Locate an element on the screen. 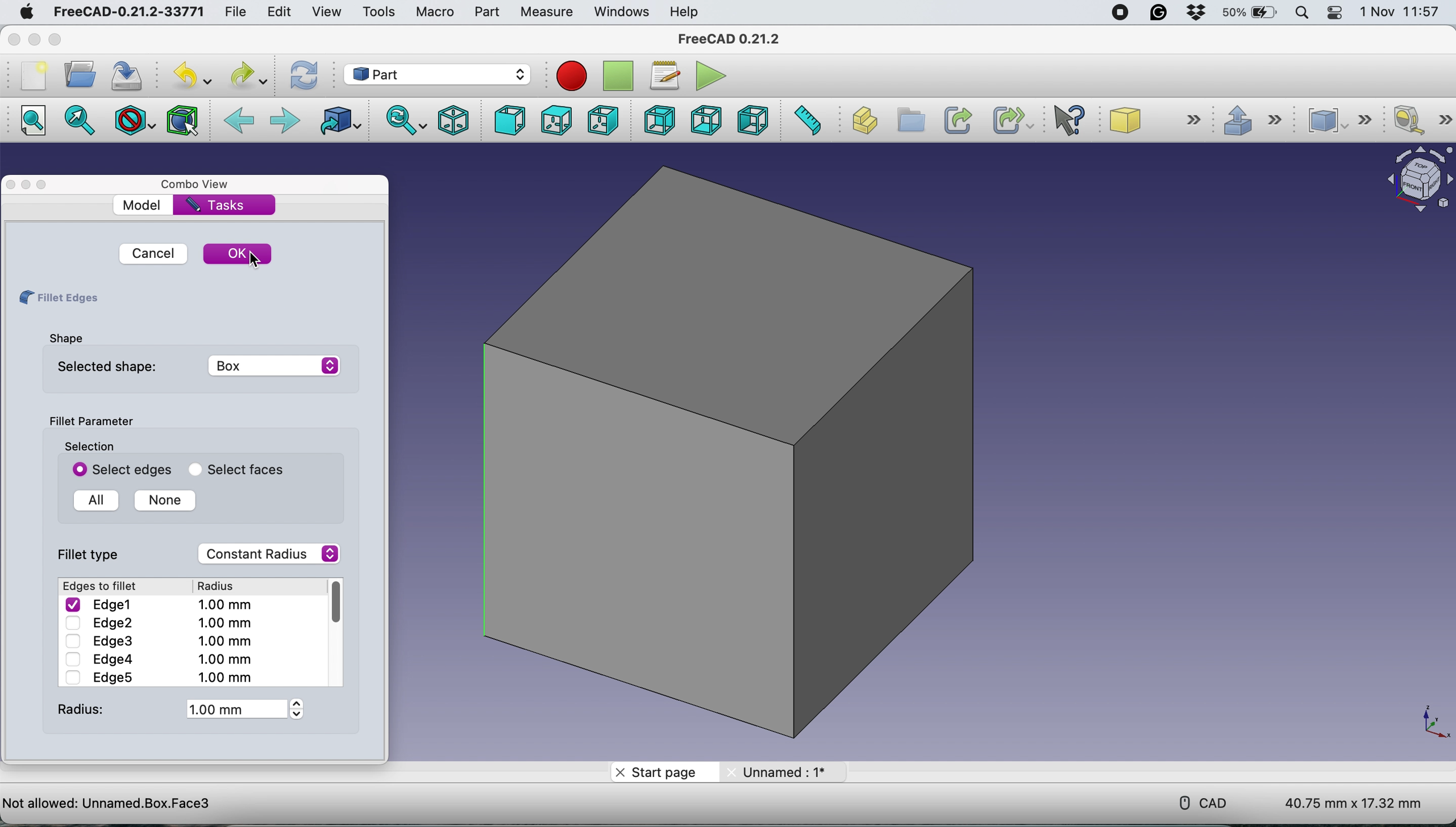  open is located at coordinates (78, 75).